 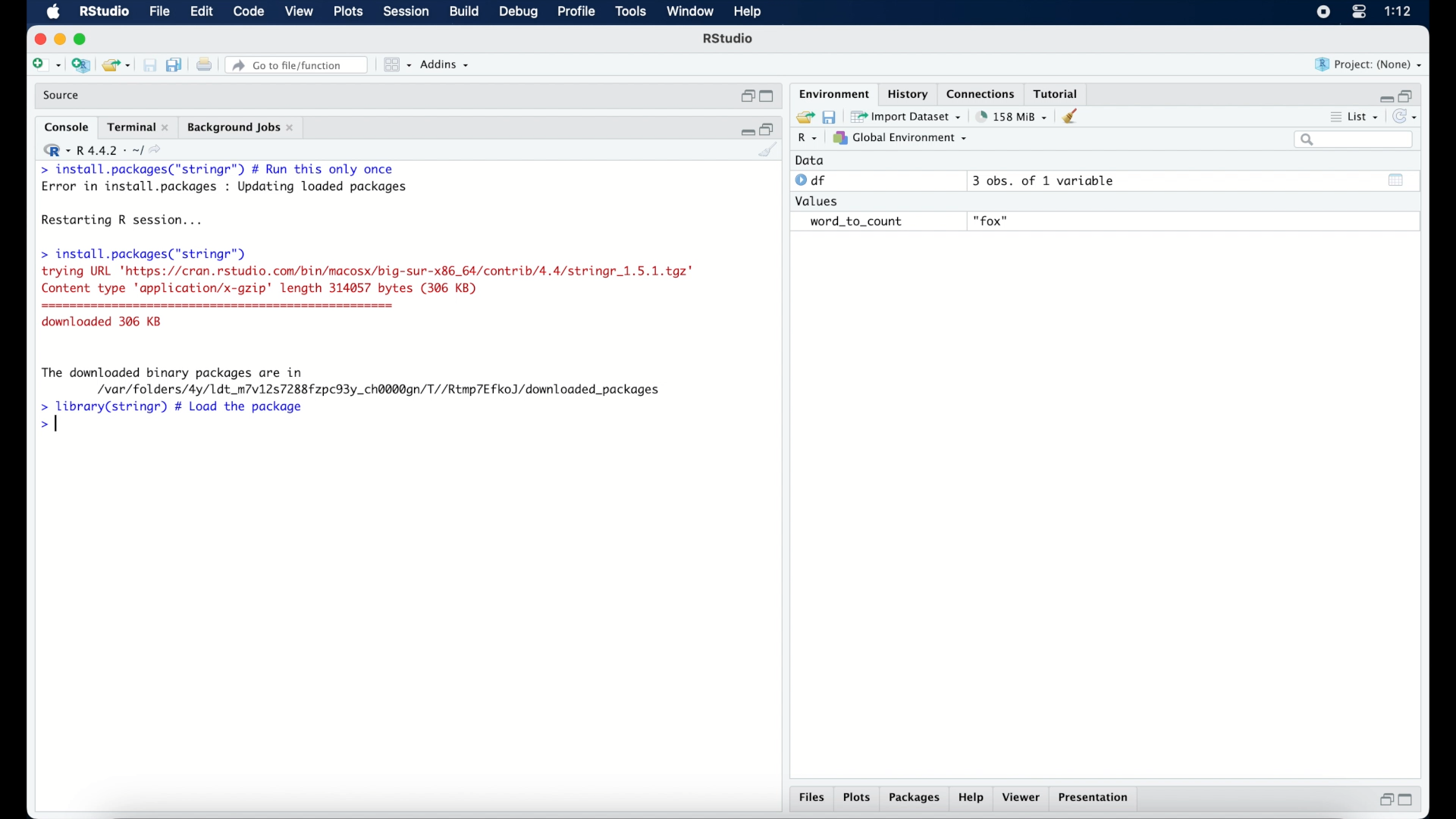 I want to click on print, so click(x=204, y=66).